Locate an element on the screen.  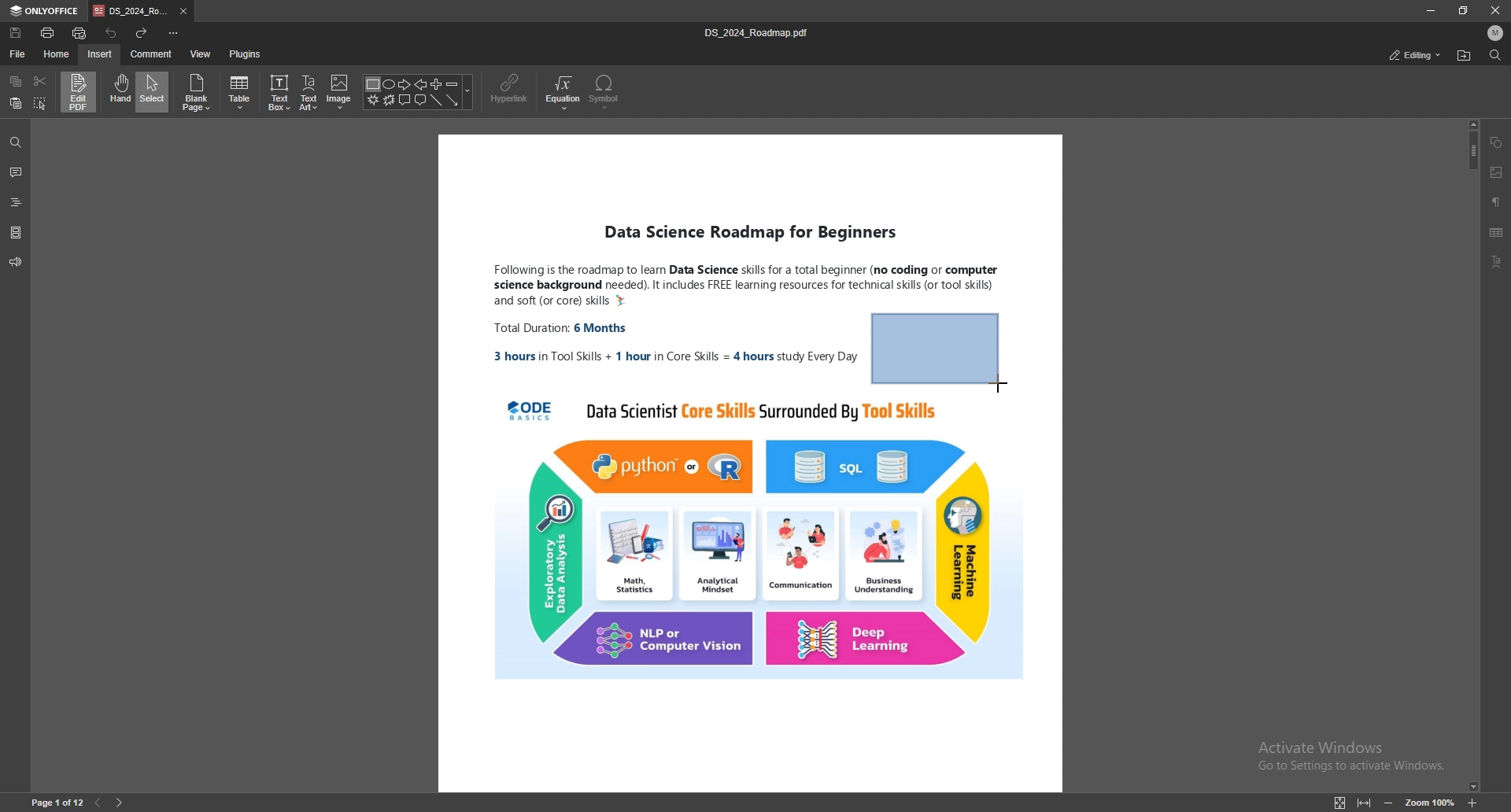
zoom in is located at coordinates (1472, 803).